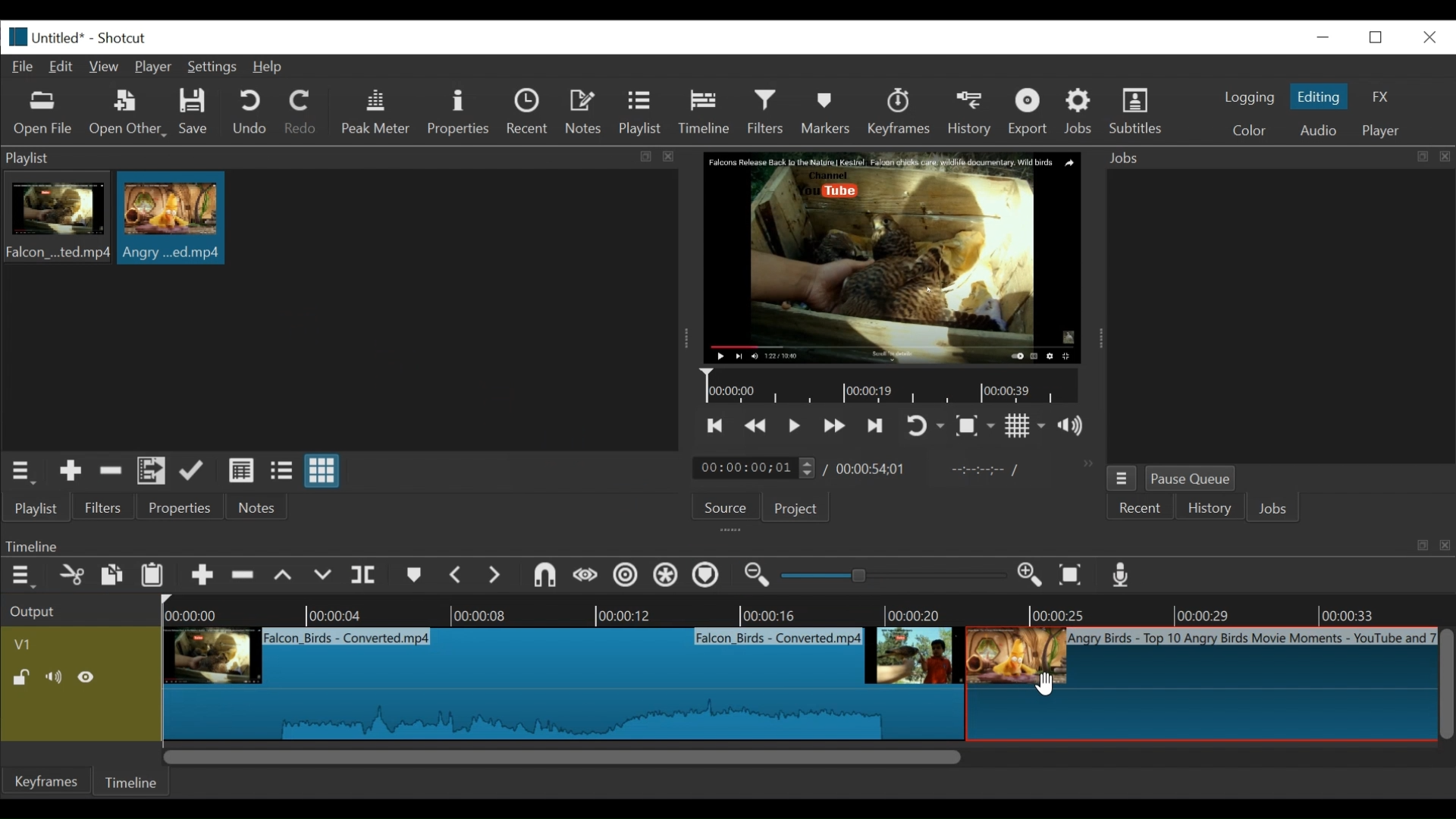  I want to click on snap, so click(547, 577).